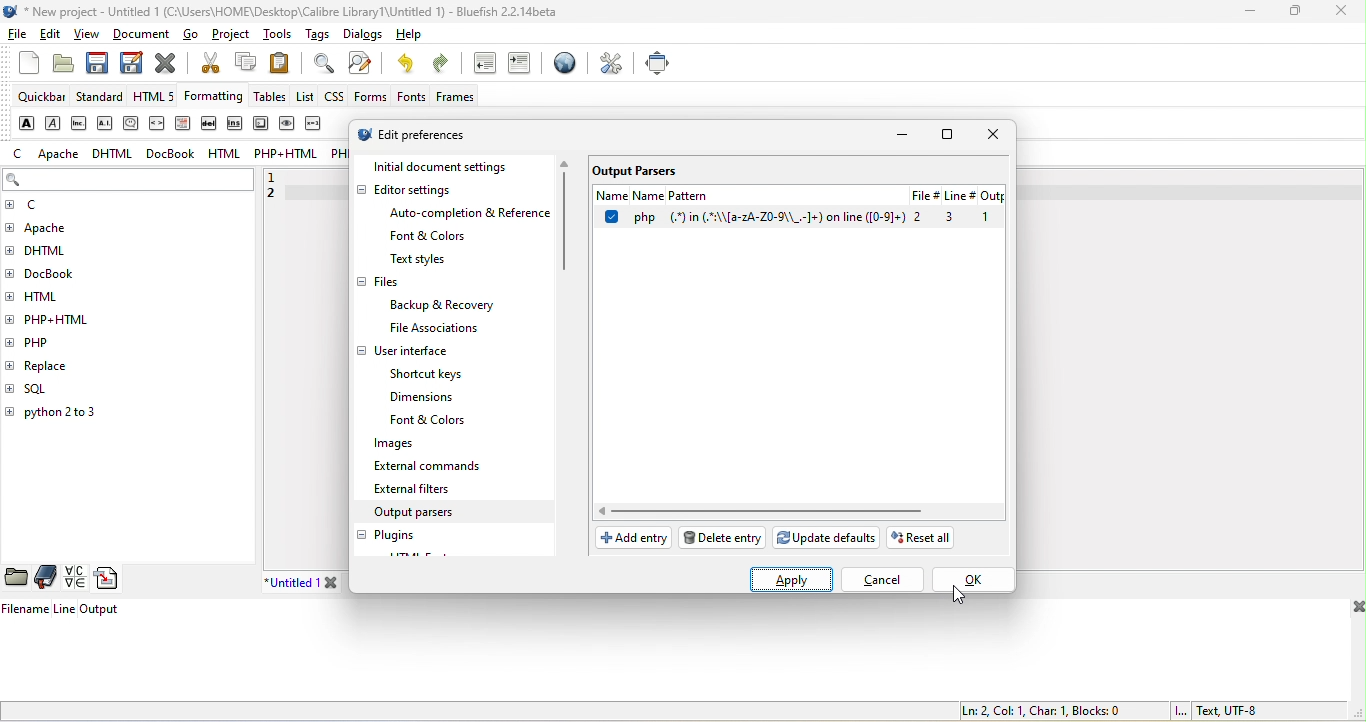 The width and height of the screenshot is (1366, 722). What do you see at coordinates (632, 540) in the screenshot?
I see `add entry` at bounding box center [632, 540].